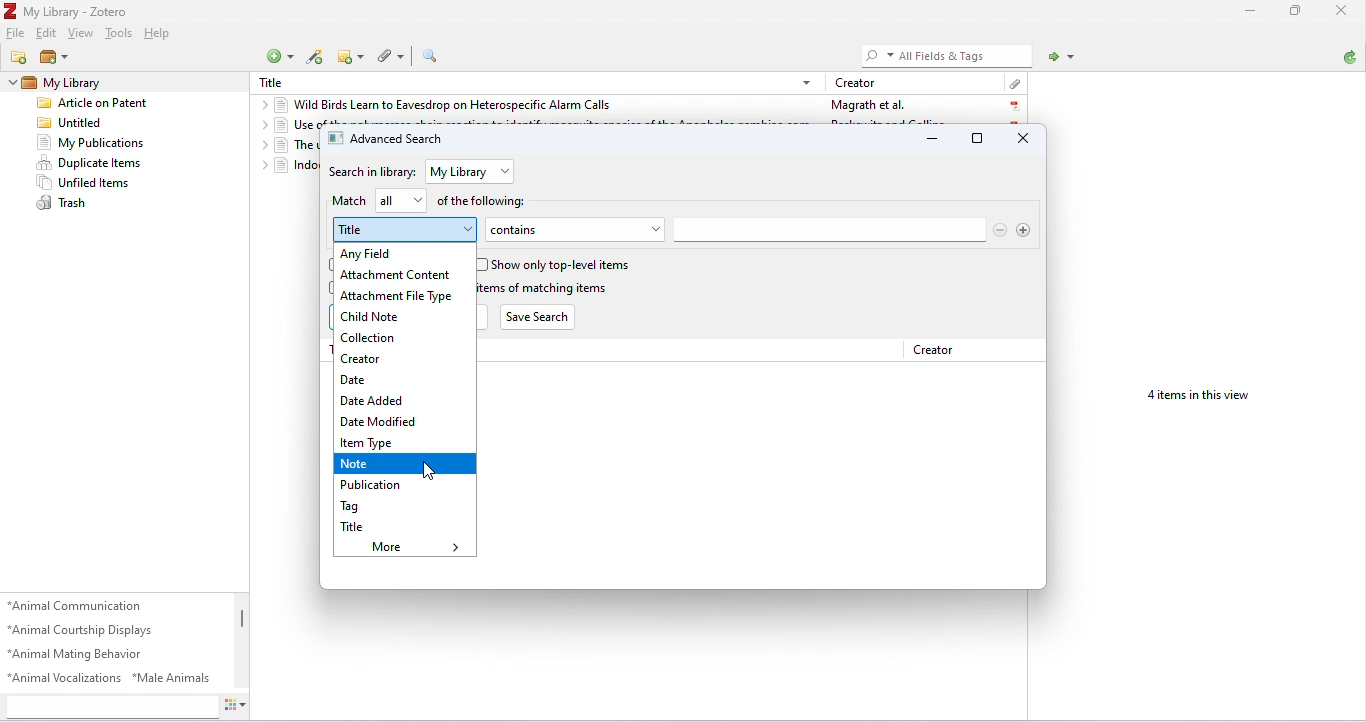 Image resolution: width=1366 pixels, height=722 pixels. I want to click on drop-down, so click(652, 229).